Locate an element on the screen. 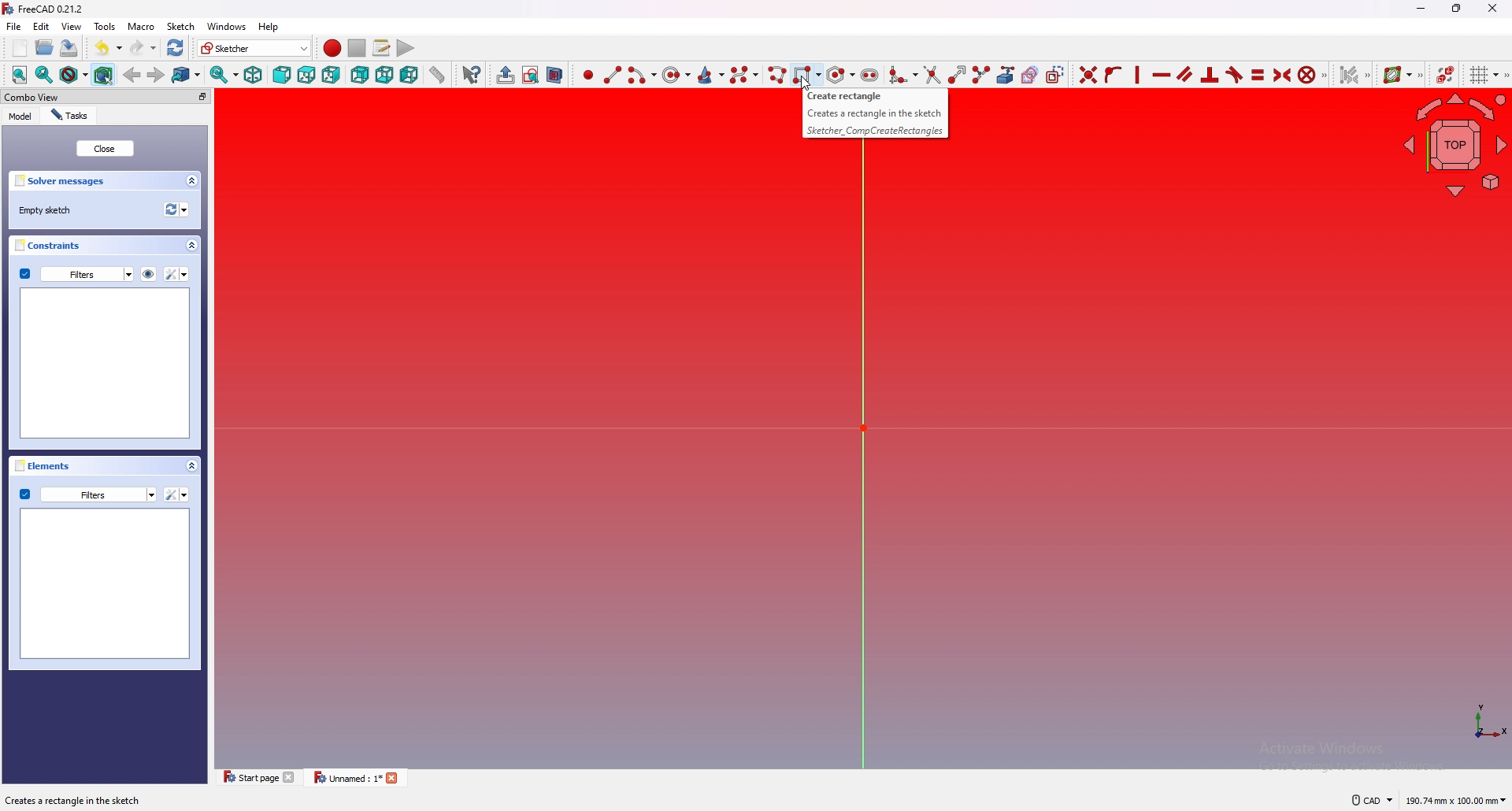 This screenshot has height=811, width=1512. cad navigation is located at coordinates (1373, 800).